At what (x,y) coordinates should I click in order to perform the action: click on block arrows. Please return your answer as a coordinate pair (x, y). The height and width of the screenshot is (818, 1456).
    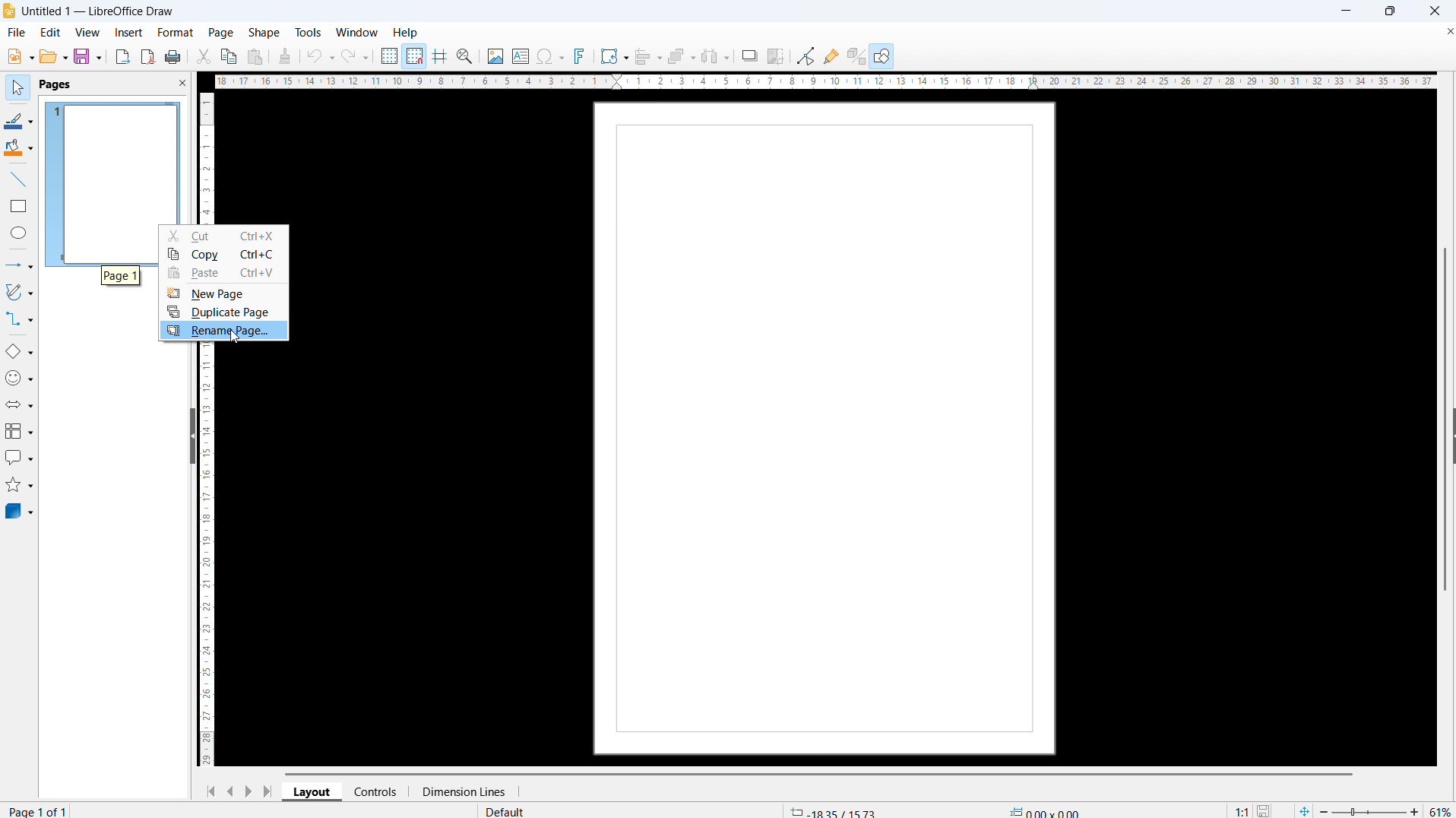
    Looking at the image, I should click on (19, 404).